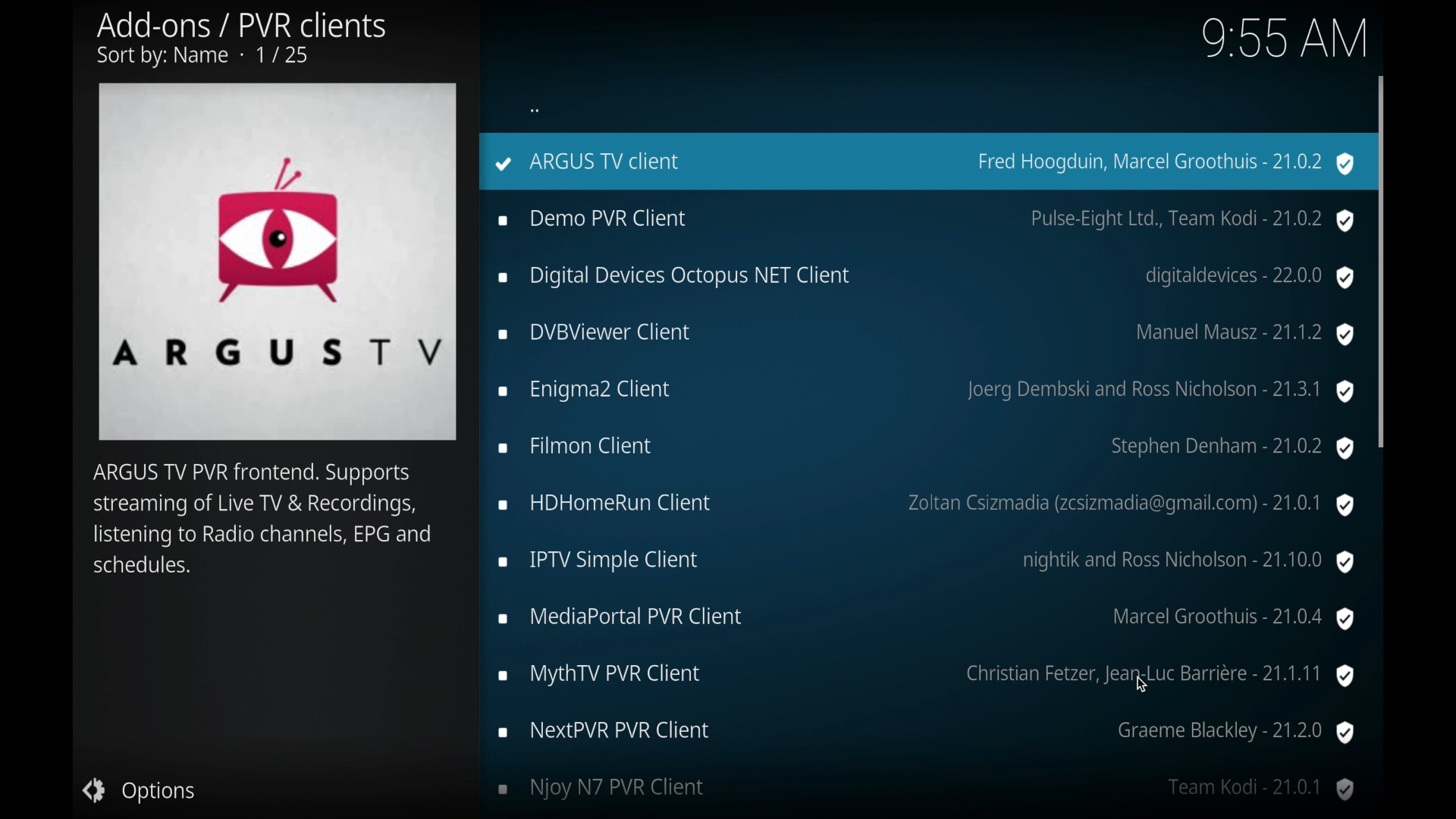  I want to click on mediaportal, so click(927, 619).